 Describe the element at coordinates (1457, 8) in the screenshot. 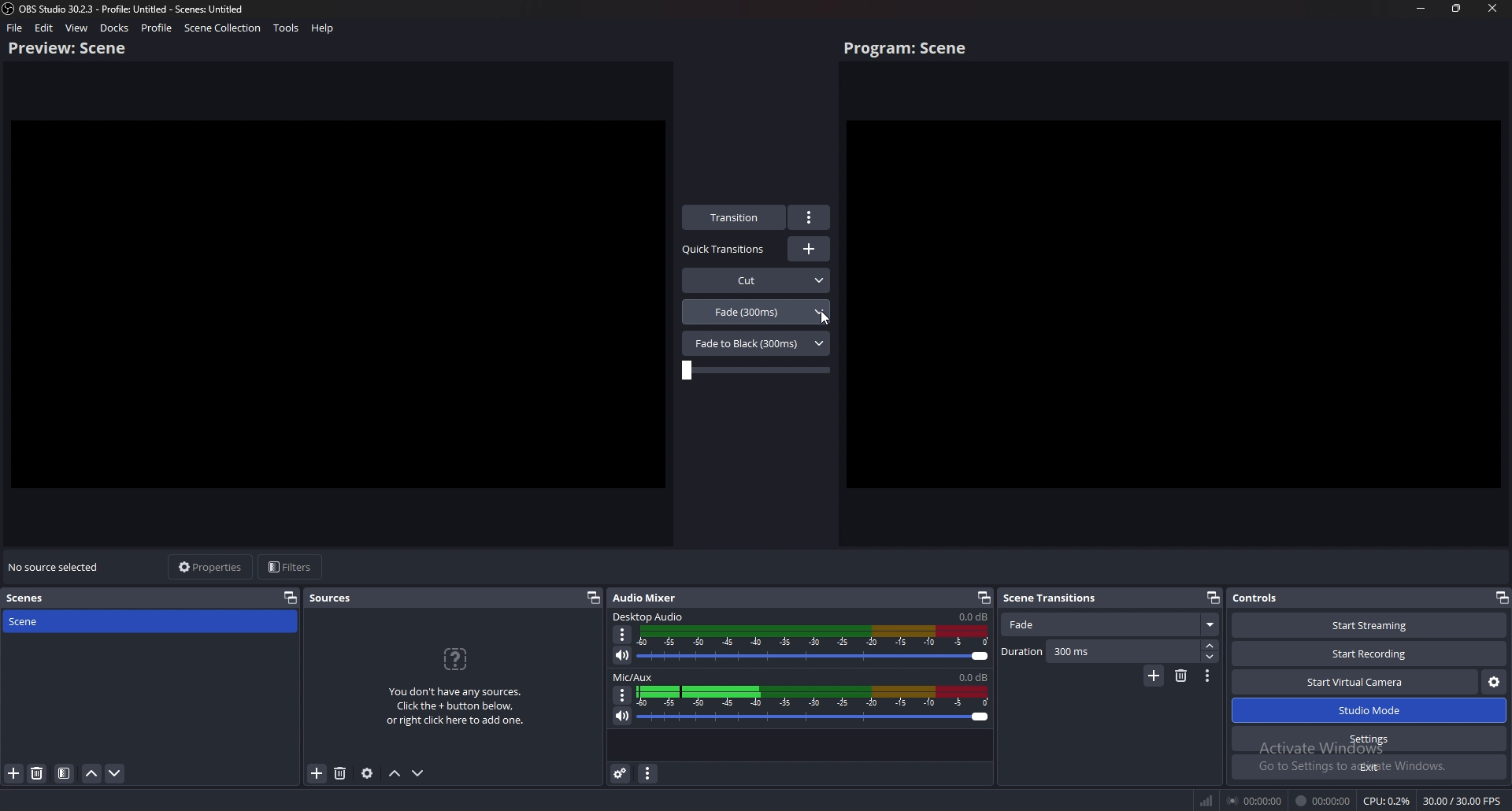

I see `resize` at that location.